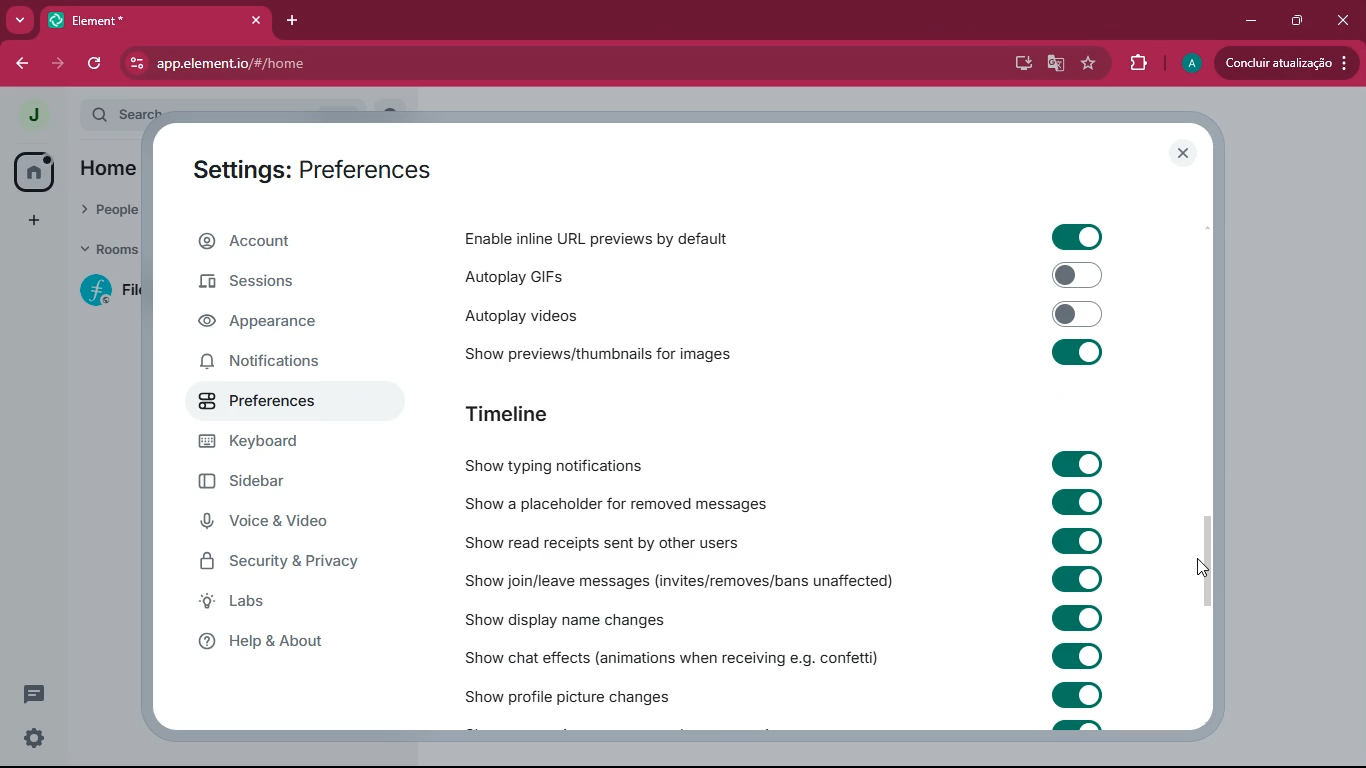  I want to click on profile picture, so click(1189, 64).